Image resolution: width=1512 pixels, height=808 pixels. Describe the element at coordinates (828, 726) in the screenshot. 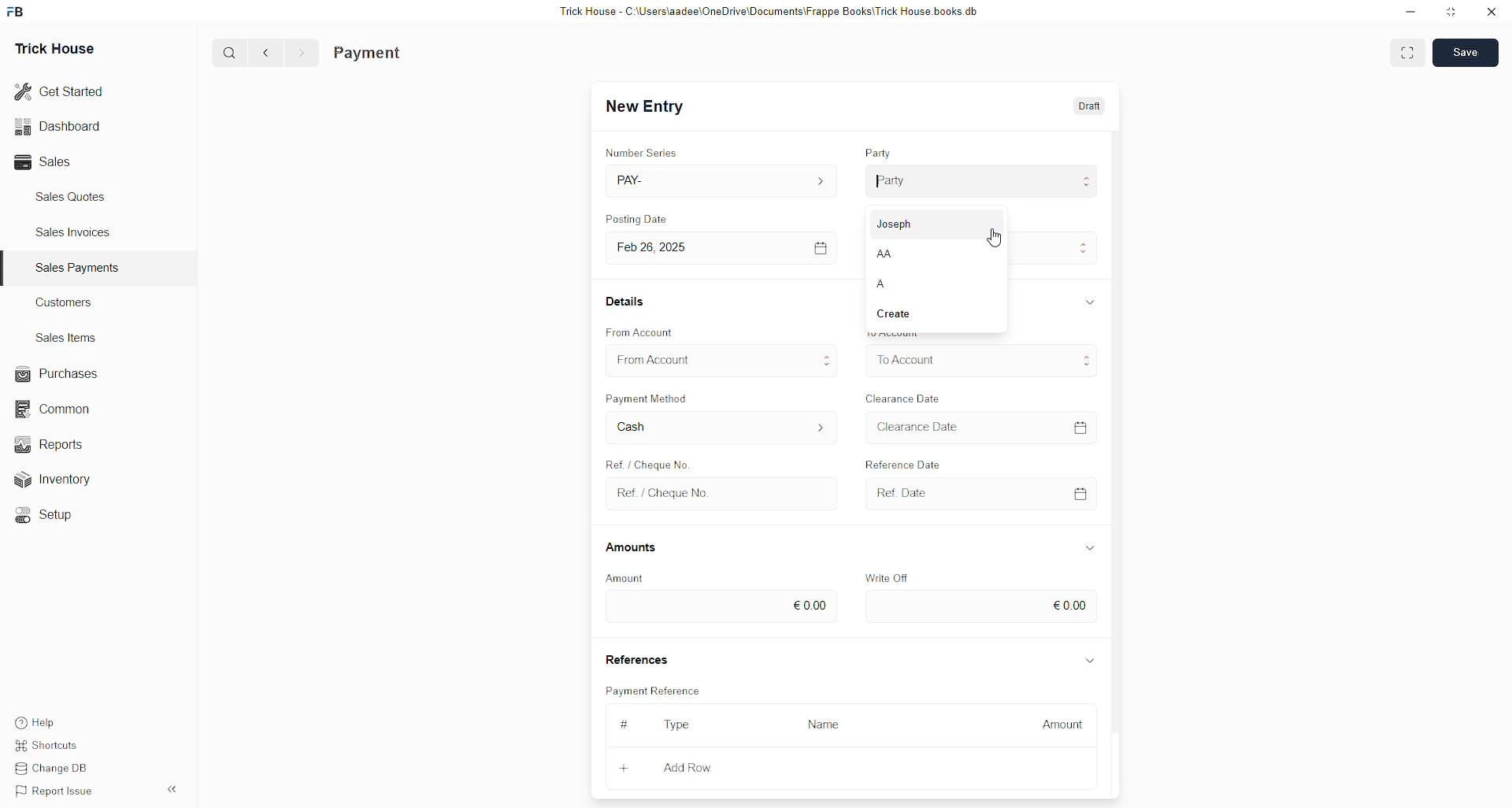

I see `Name` at that location.